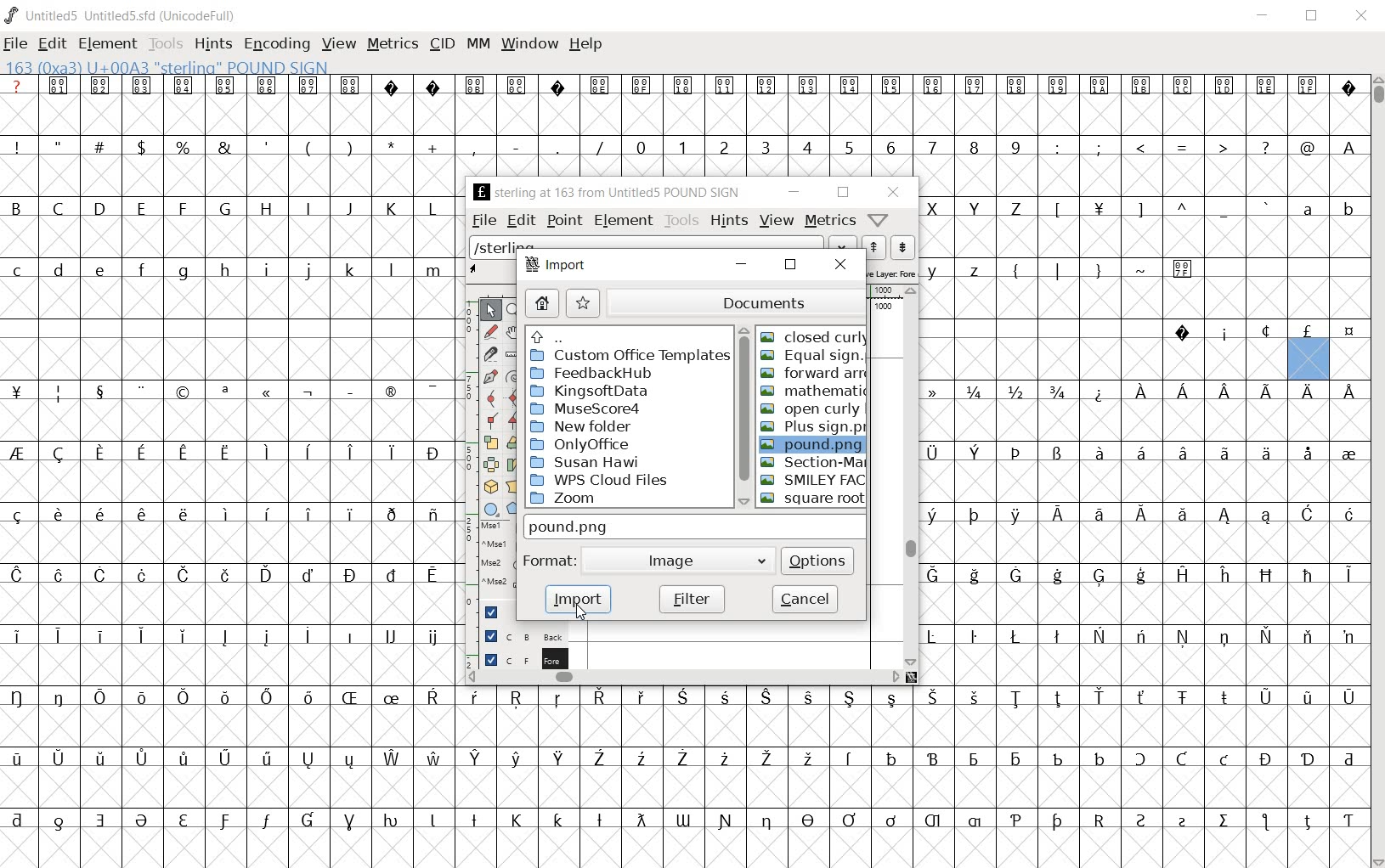  What do you see at coordinates (517, 820) in the screenshot?
I see `Symbol` at bounding box center [517, 820].